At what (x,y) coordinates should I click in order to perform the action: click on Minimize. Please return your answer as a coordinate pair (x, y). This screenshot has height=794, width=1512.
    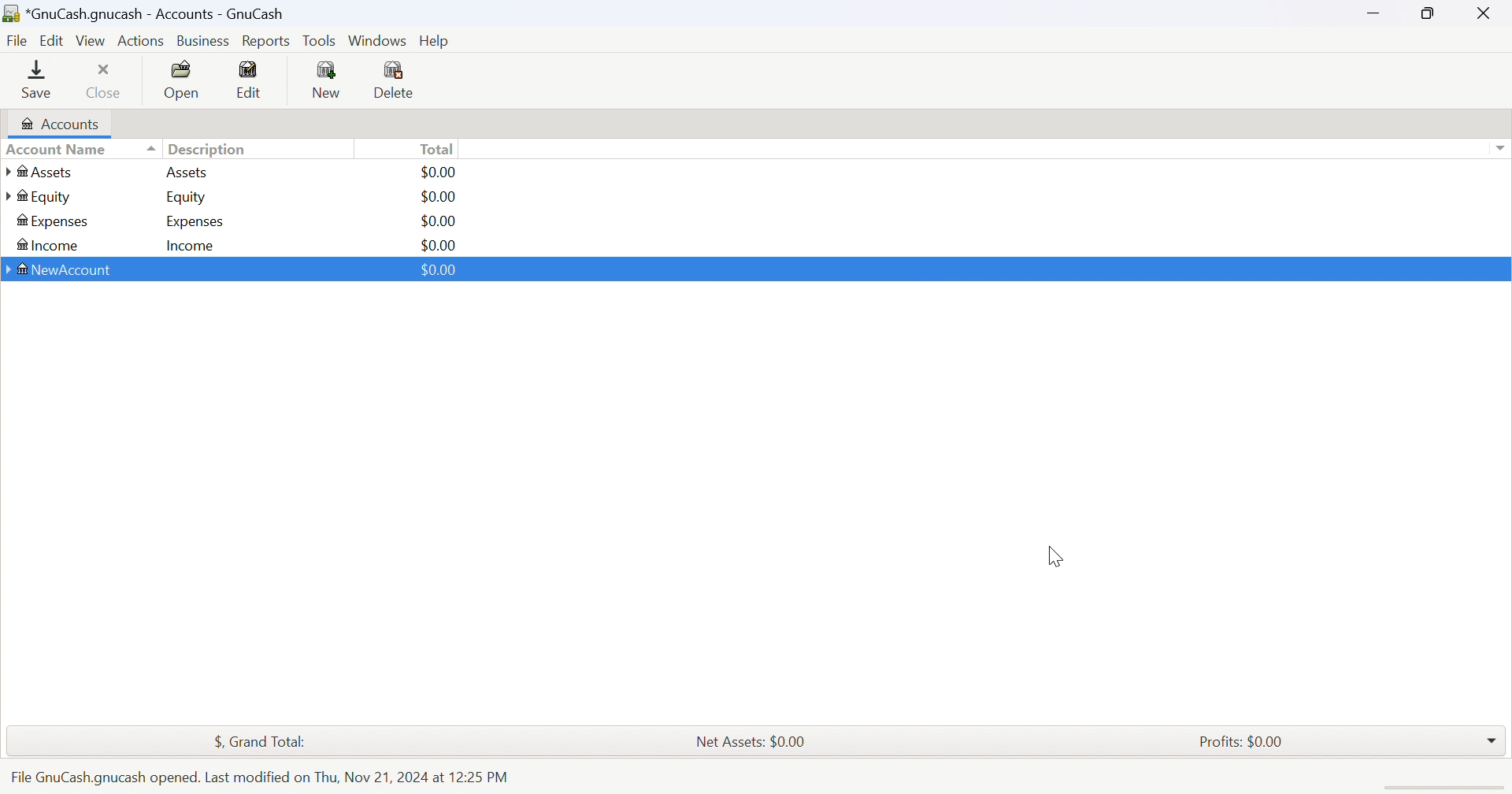
    Looking at the image, I should click on (1369, 9).